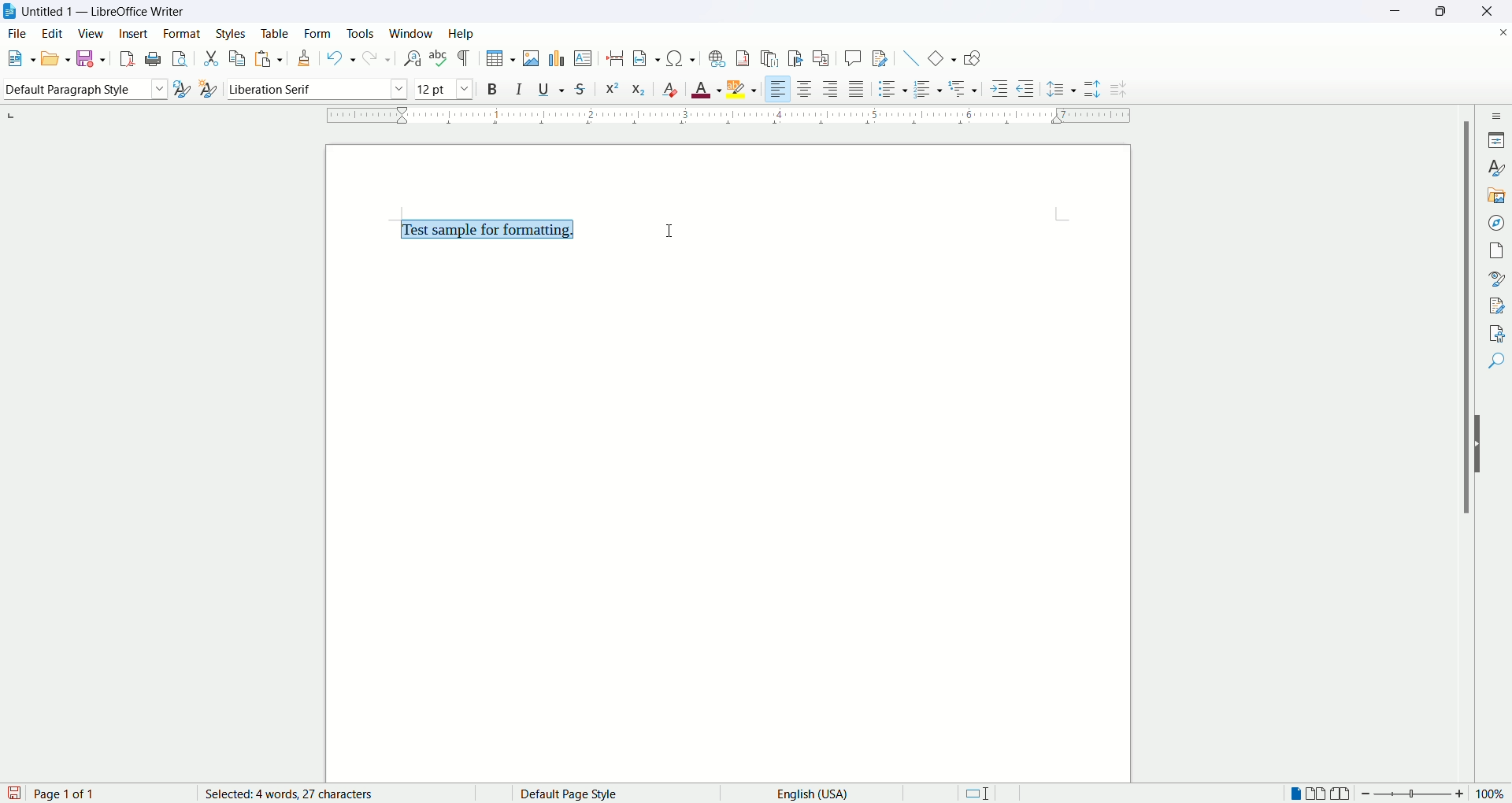 The image size is (1512, 803). Describe the element at coordinates (939, 58) in the screenshot. I see `basic shapes` at that location.